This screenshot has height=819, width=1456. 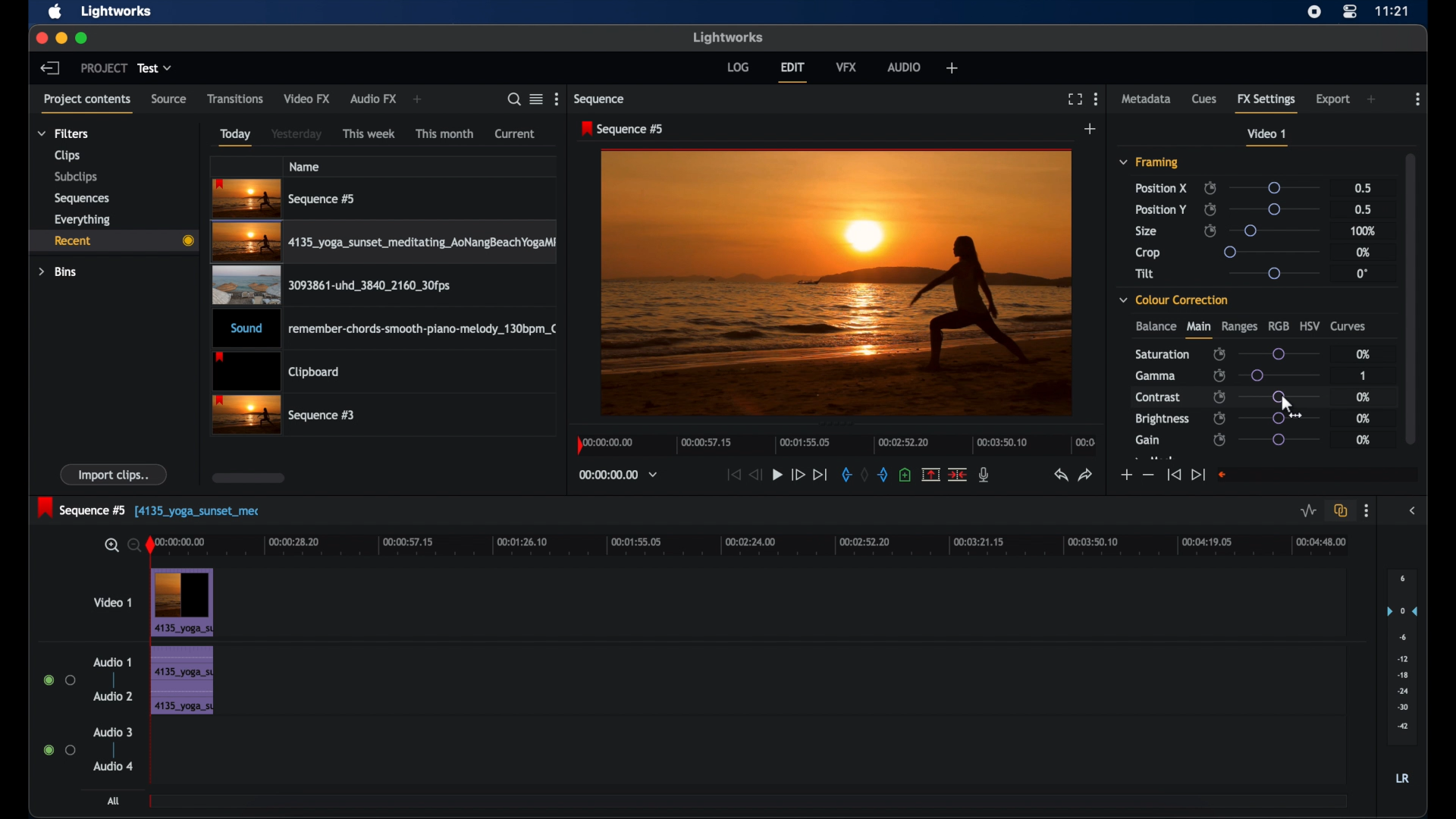 What do you see at coordinates (1145, 274) in the screenshot?
I see `tilt` at bounding box center [1145, 274].